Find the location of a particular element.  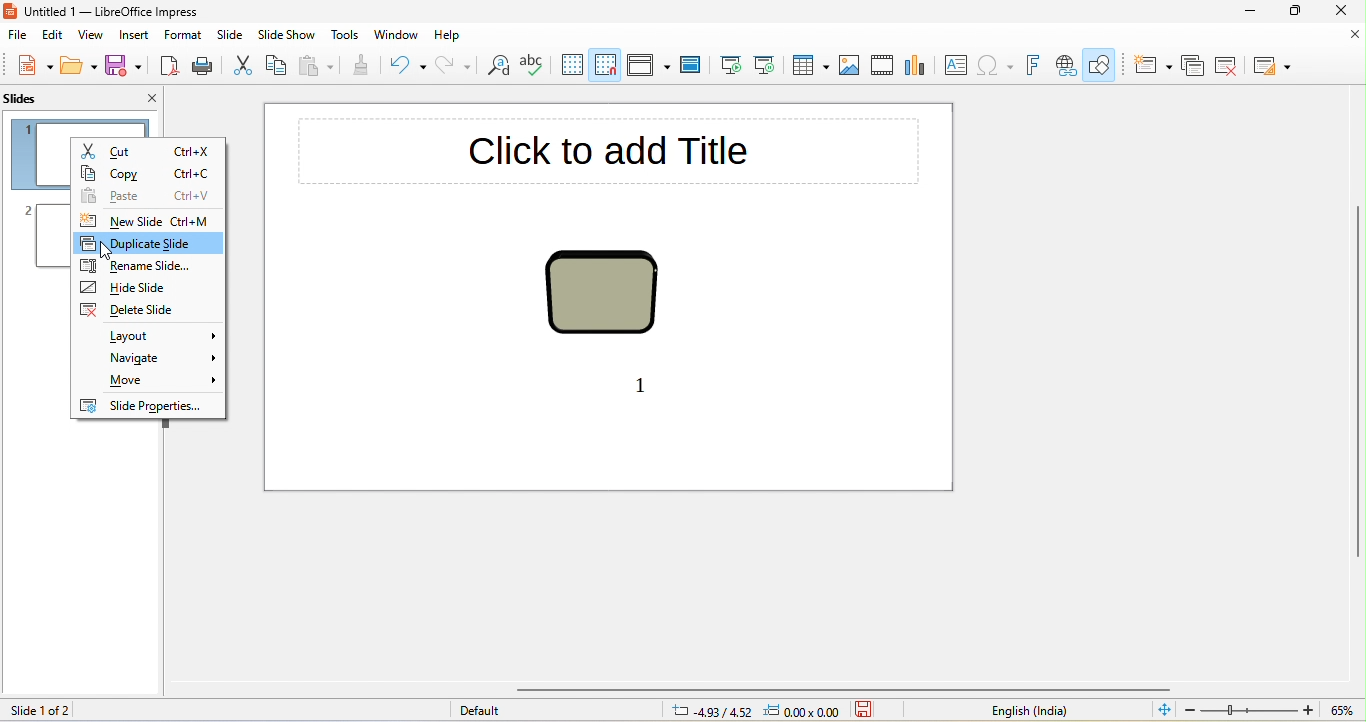

open is located at coordinates (80, 68).